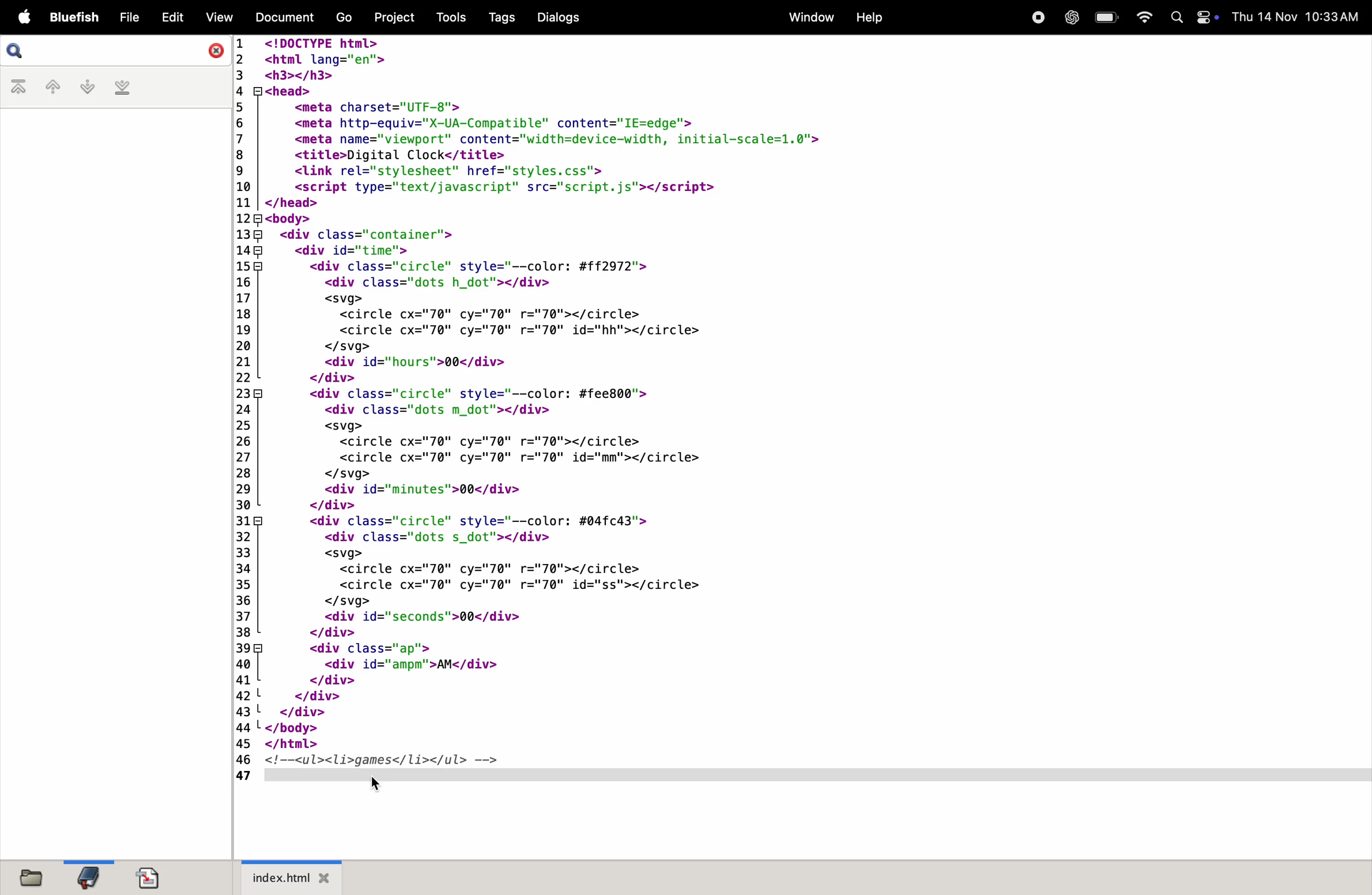  What do you see at coordinates (130, 17) in the screenshot?
I see `File` at bounding box center [130, 17].